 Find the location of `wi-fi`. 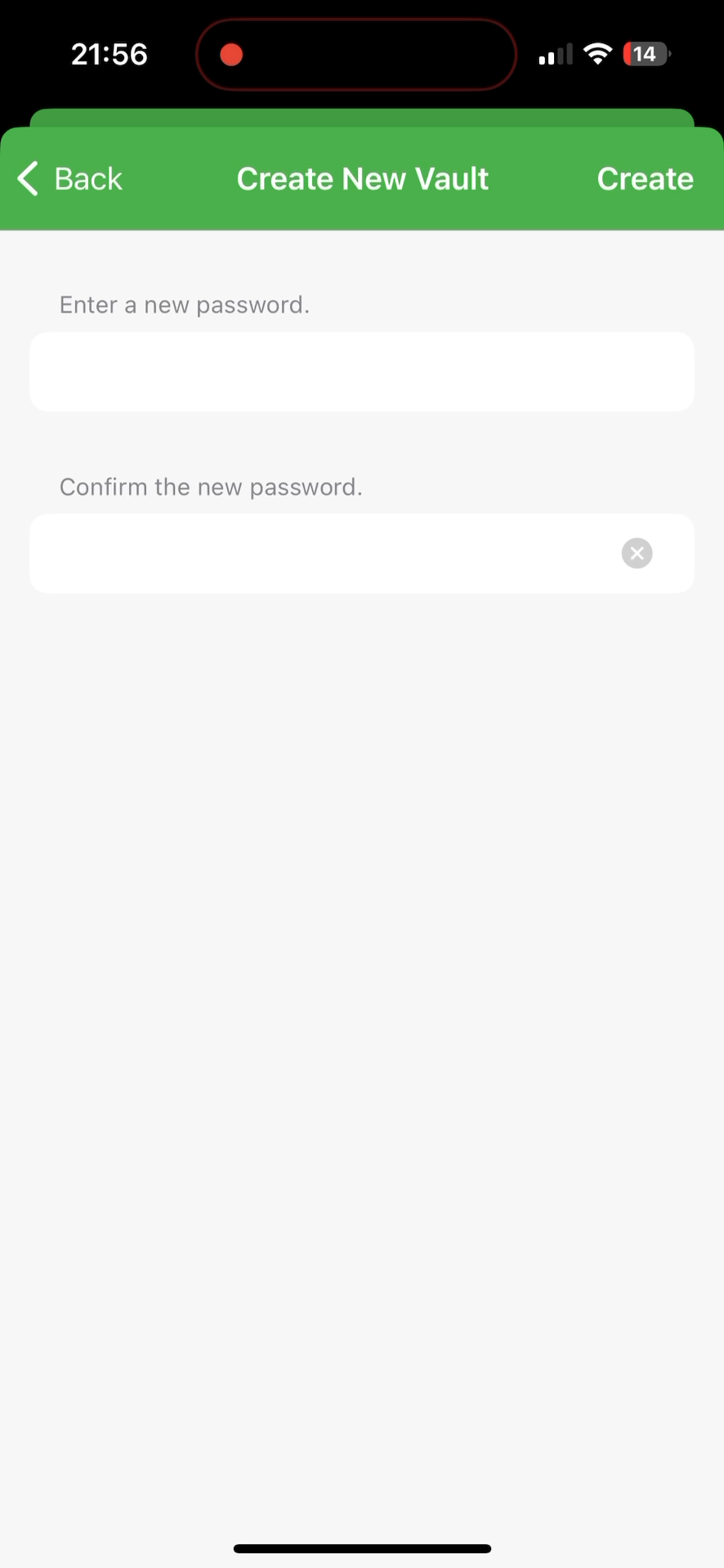

wi-fi is located at coordinates (599, 60).